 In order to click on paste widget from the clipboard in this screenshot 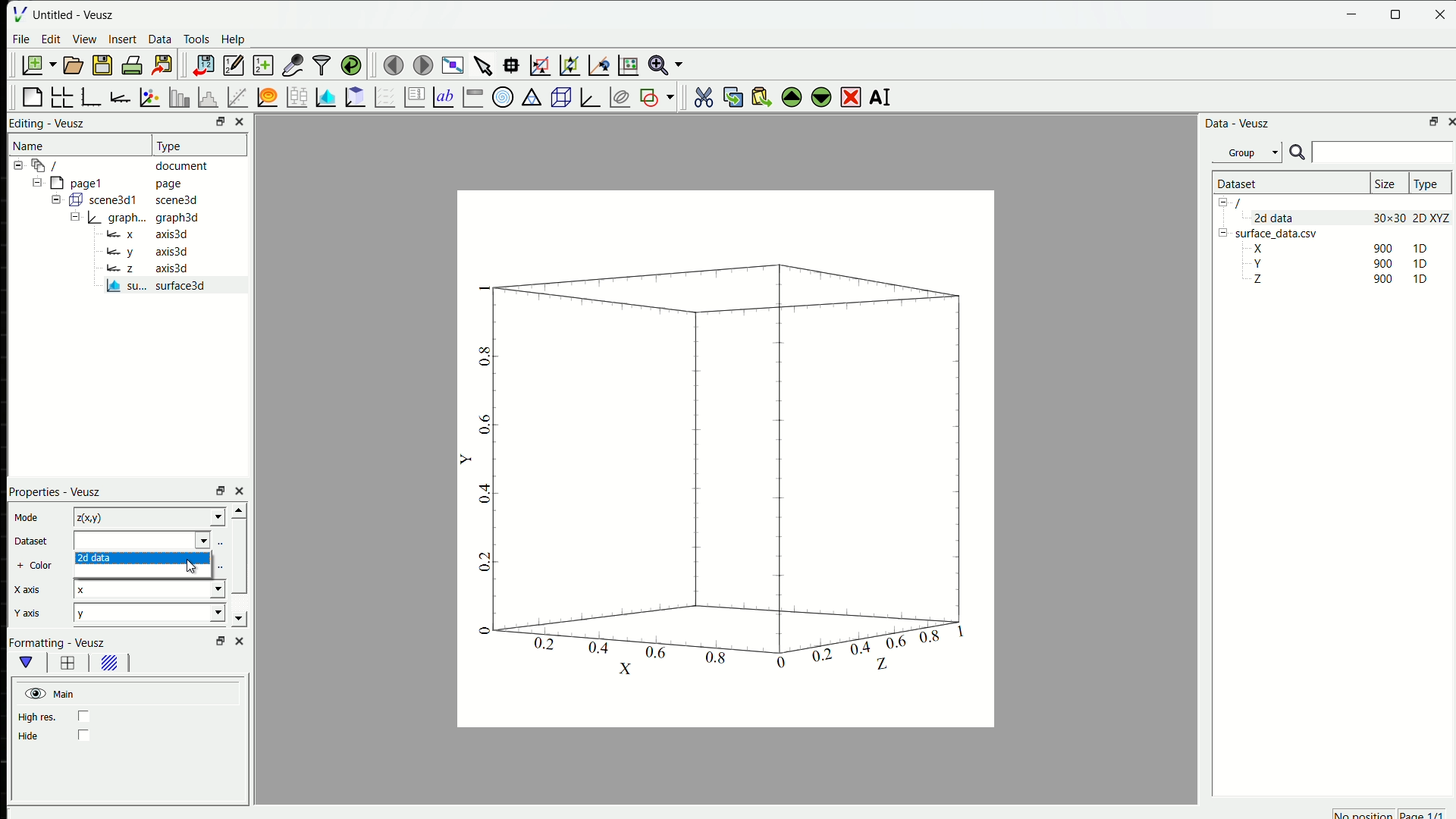, I will do `click(764, 96)`.